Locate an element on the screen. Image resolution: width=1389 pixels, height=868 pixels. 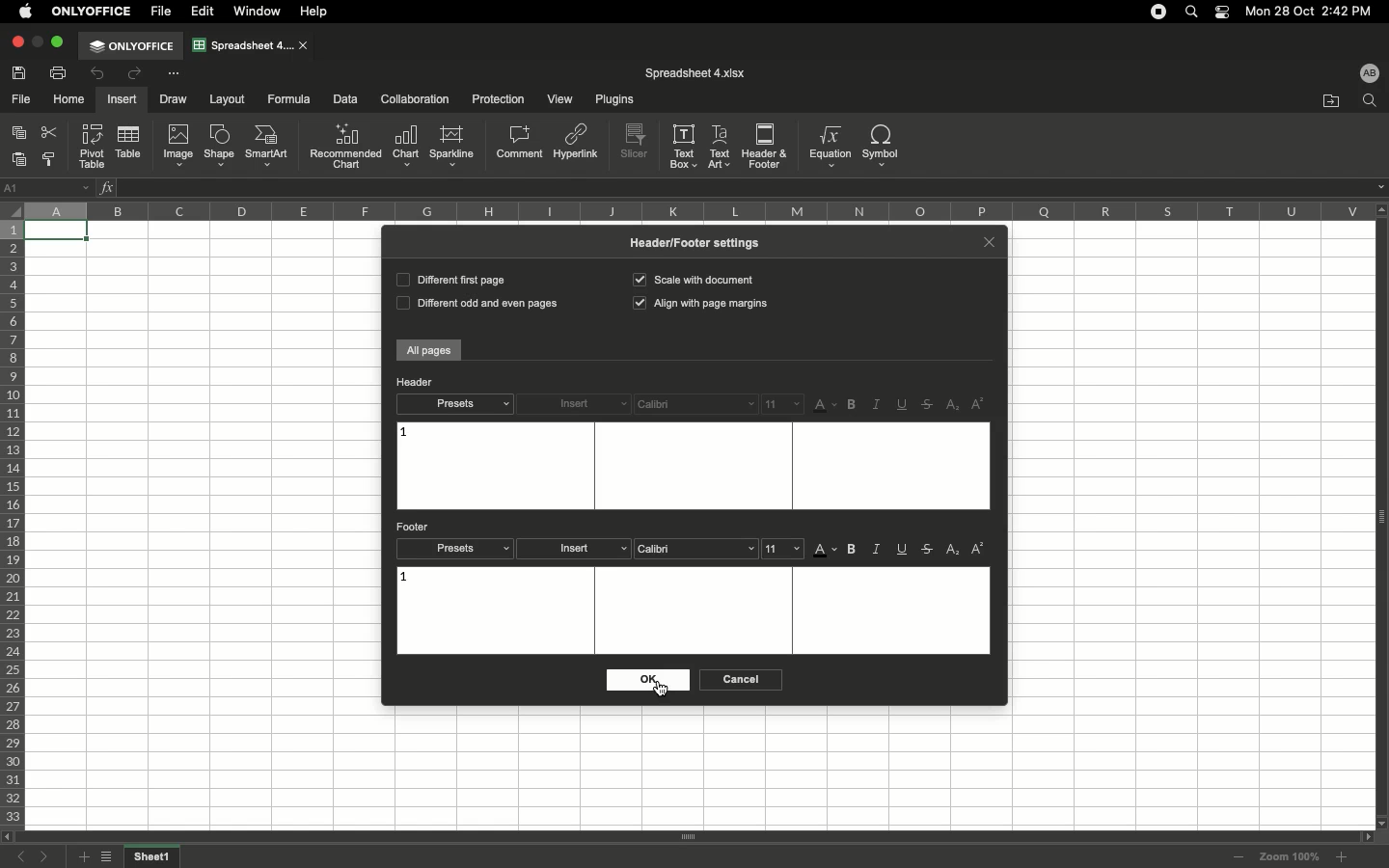
Strikethrough is located at coordinates (928, 550).